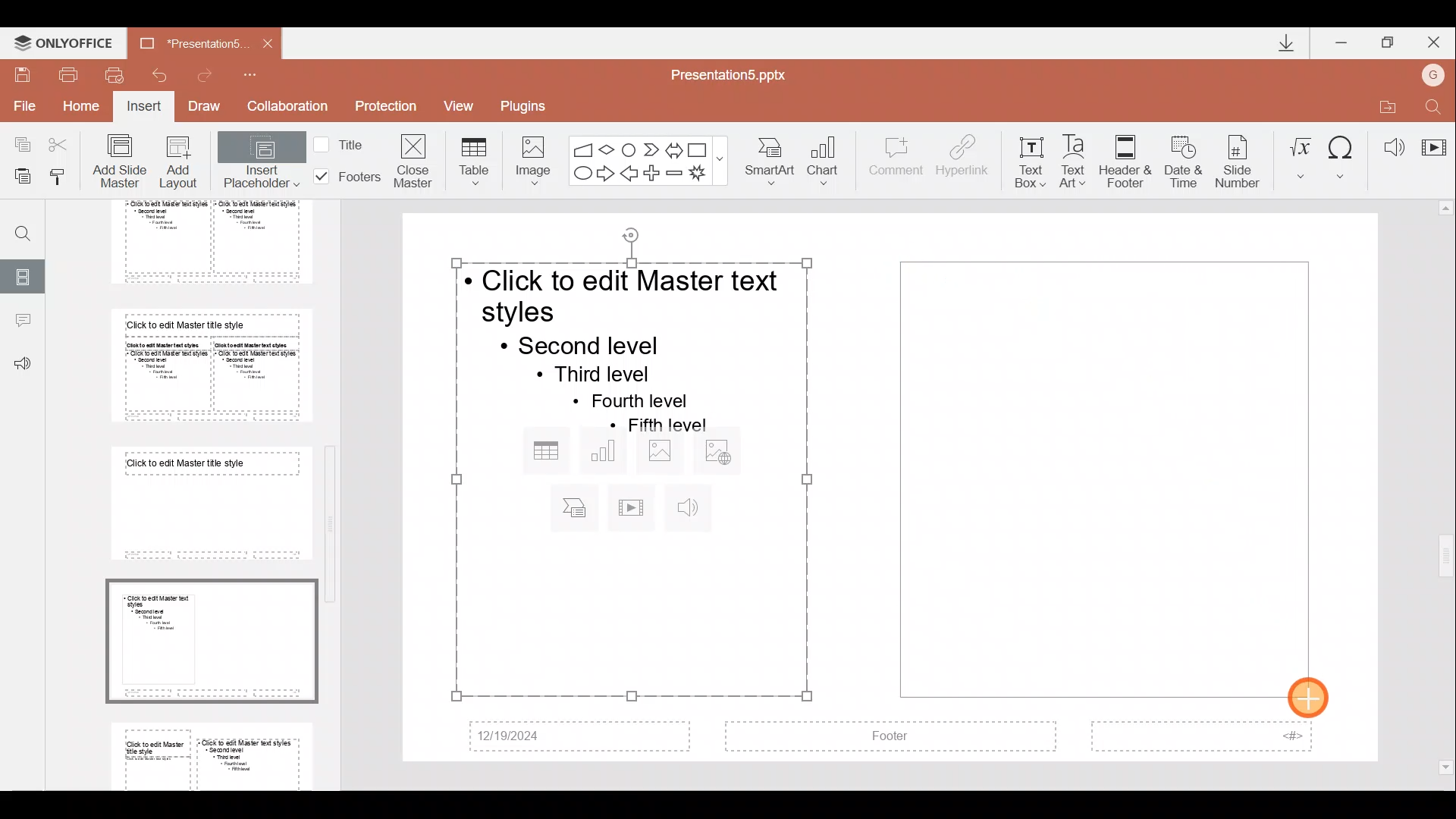  I want to click on Insert, so click(145, 108).